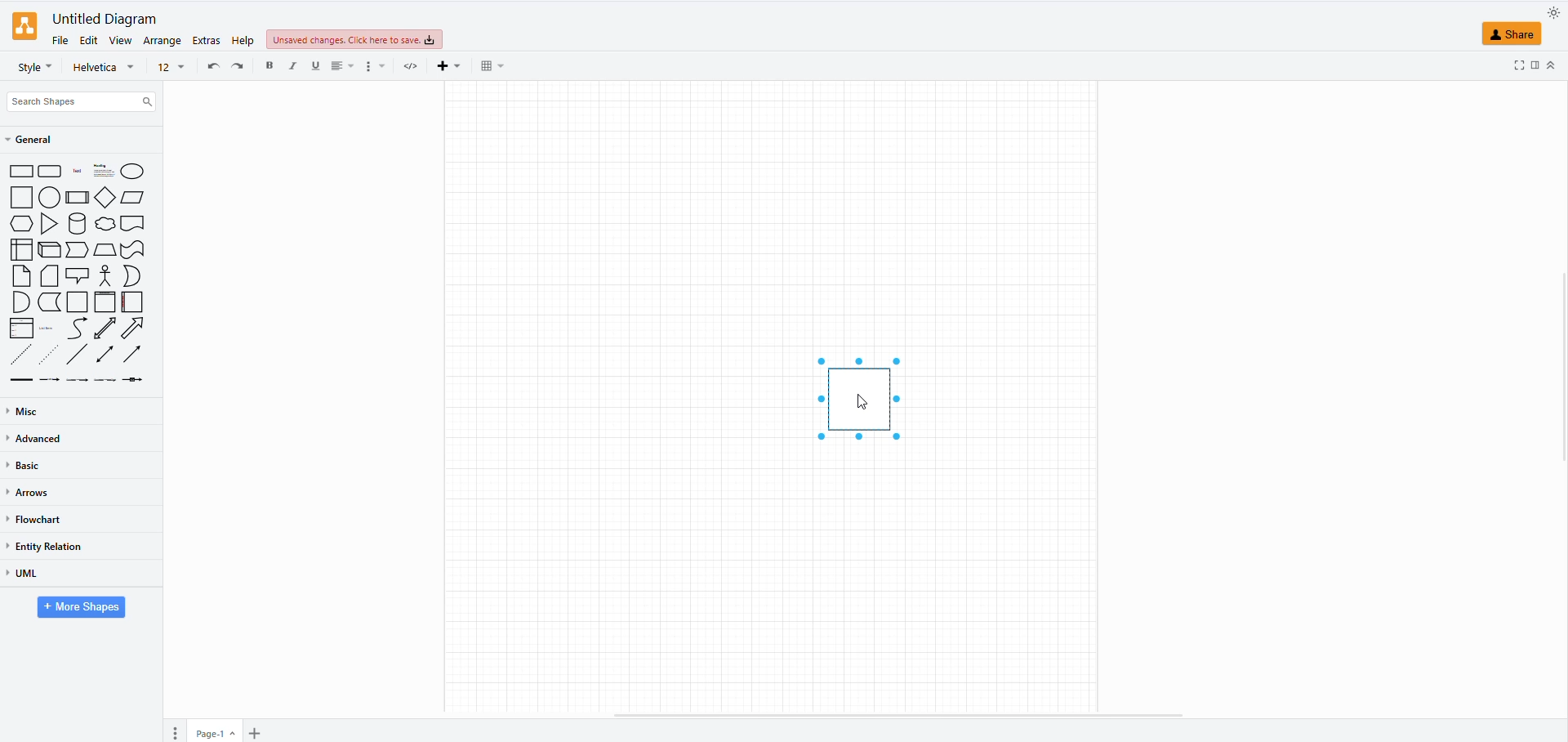 The image size is (1568, 742). Describe the element at coordinates (342, 66) in the screenshot. I see `align` at that location.